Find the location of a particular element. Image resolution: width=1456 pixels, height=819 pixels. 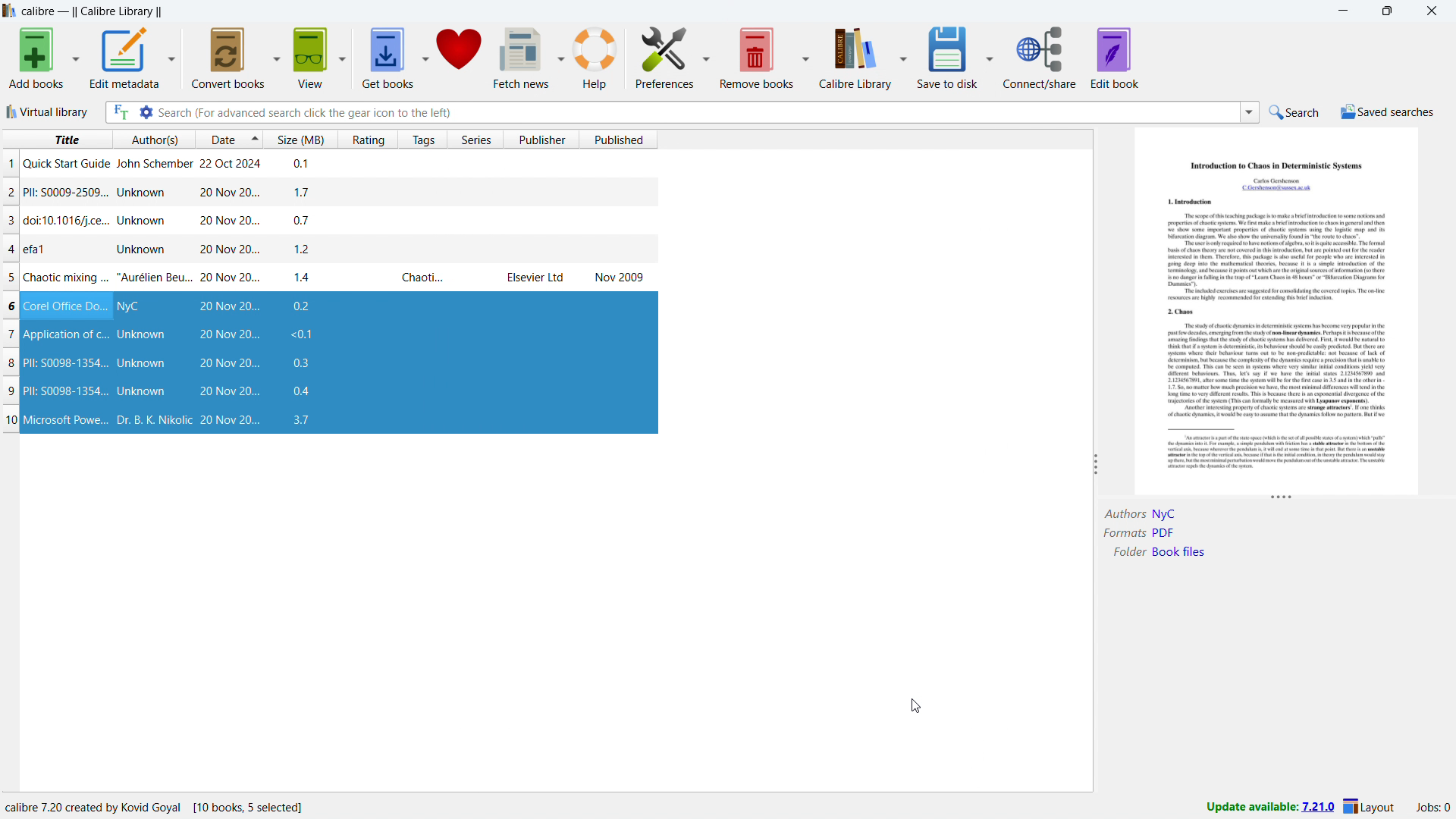

edit metadata options is located at coordinates (171, 58).